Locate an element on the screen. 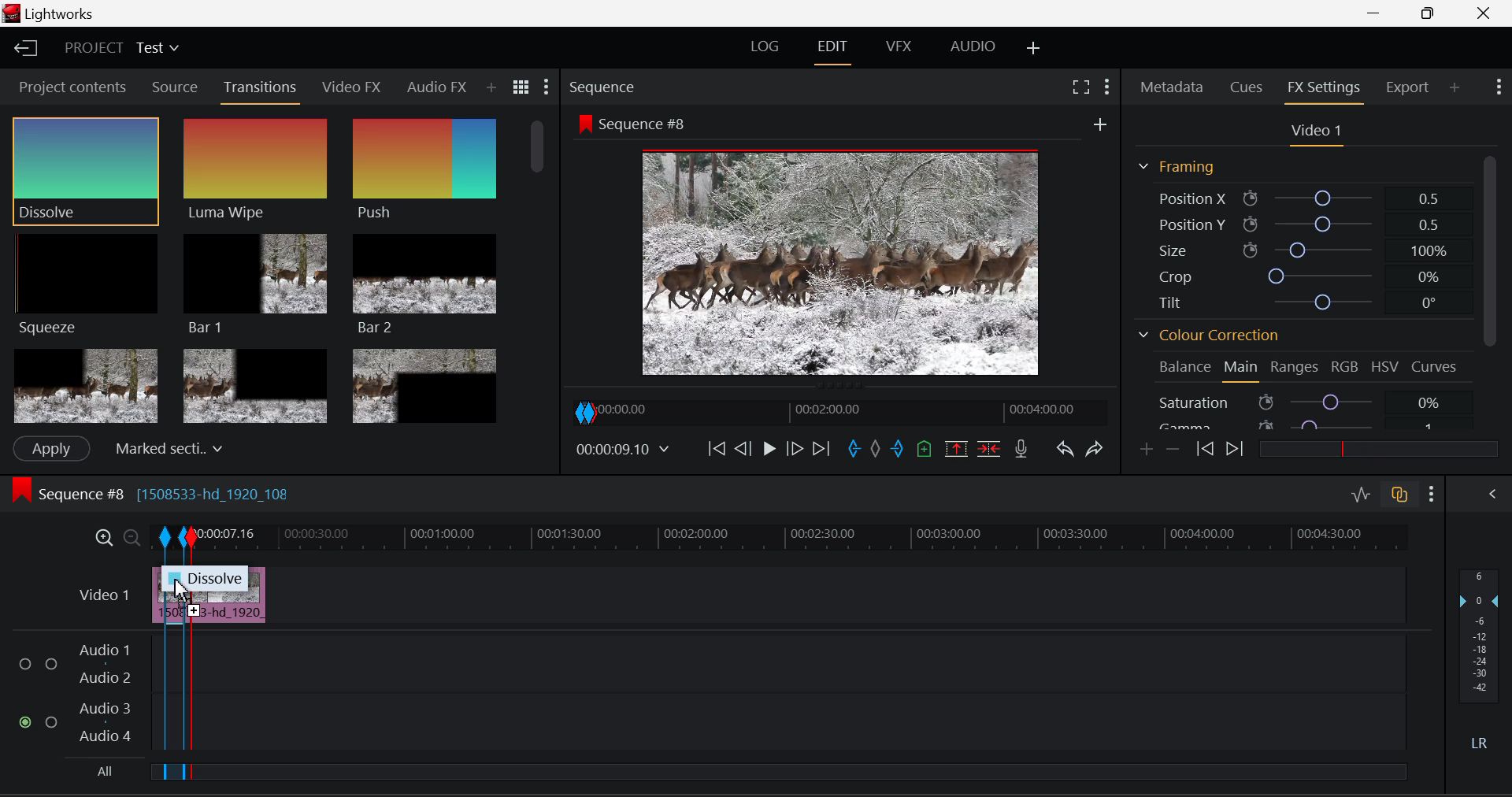 This screenshot has width=1512, height=797. Add keyframes is located at coordinates (1147, 450).